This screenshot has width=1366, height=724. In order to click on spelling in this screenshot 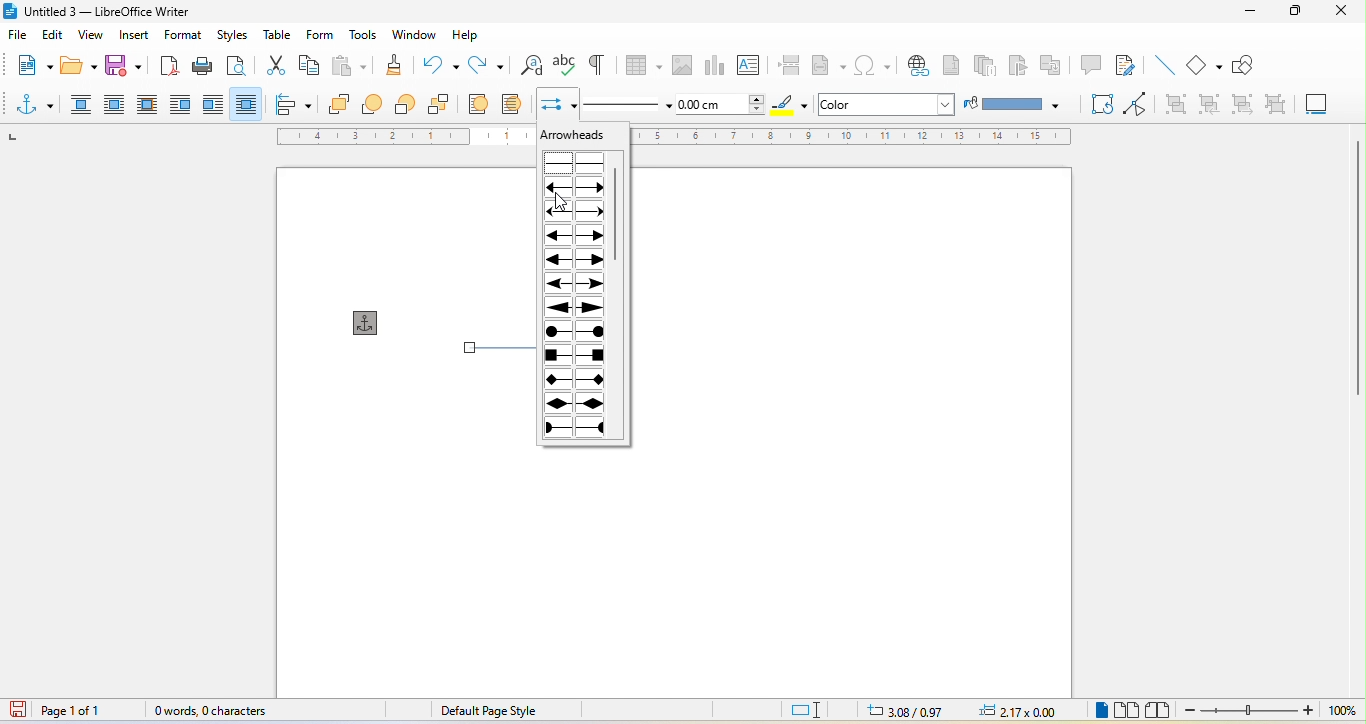, I will do `click(564, 63)`.